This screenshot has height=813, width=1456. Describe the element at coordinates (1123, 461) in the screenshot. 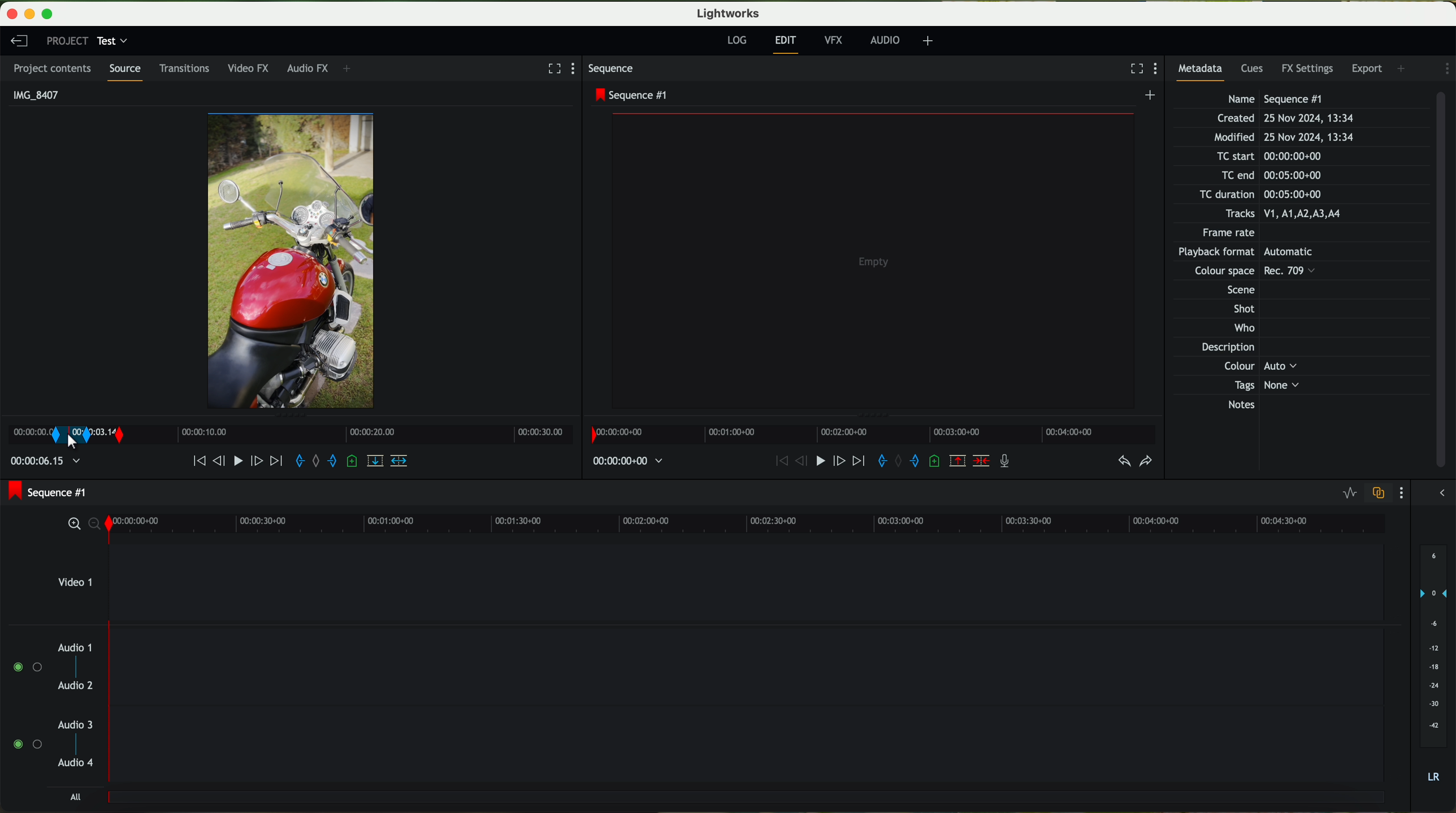

I see `undo` at that location.